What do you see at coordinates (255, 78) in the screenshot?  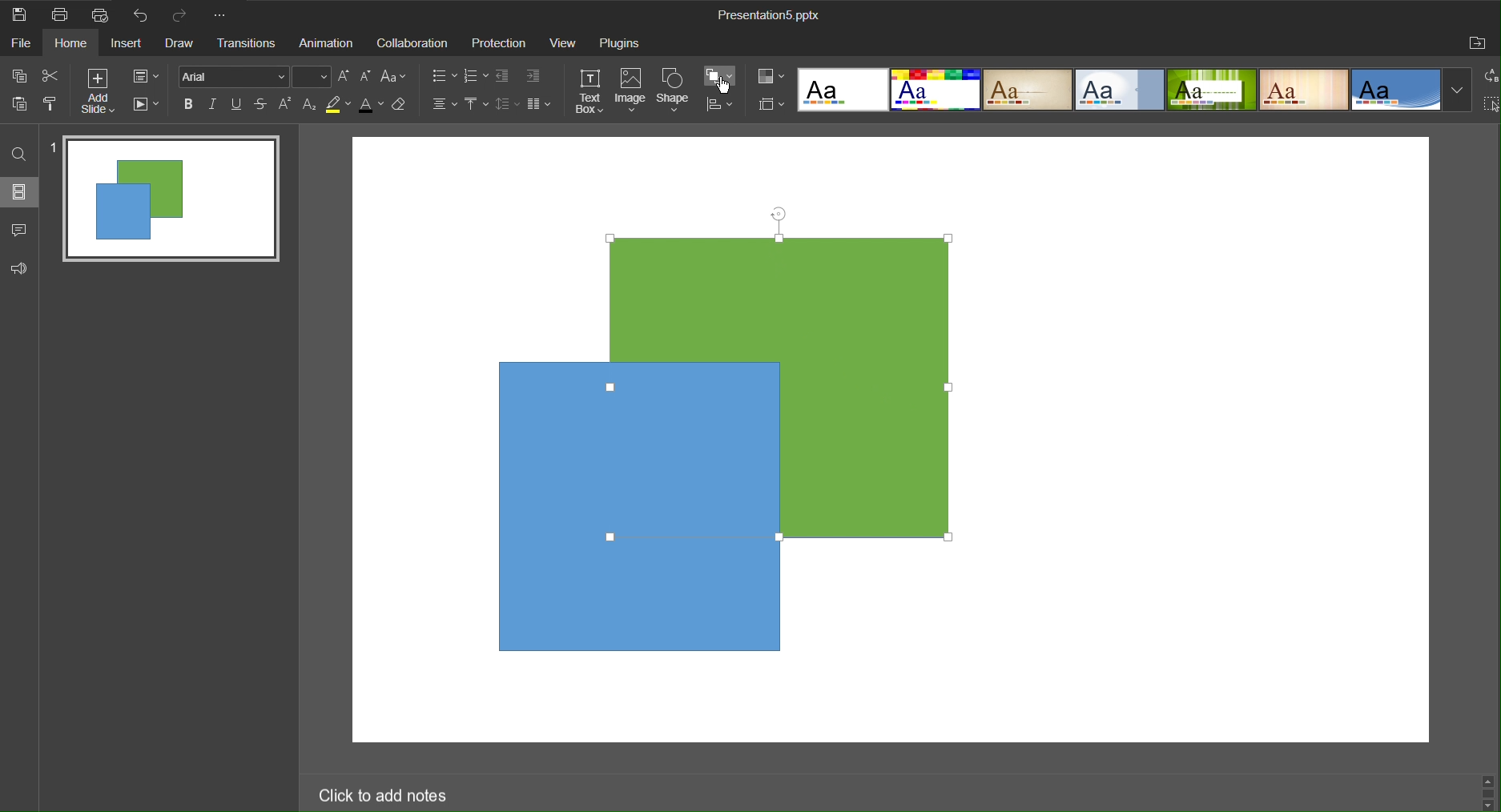 I see `Font Settings` at bounding box center [255, 78].